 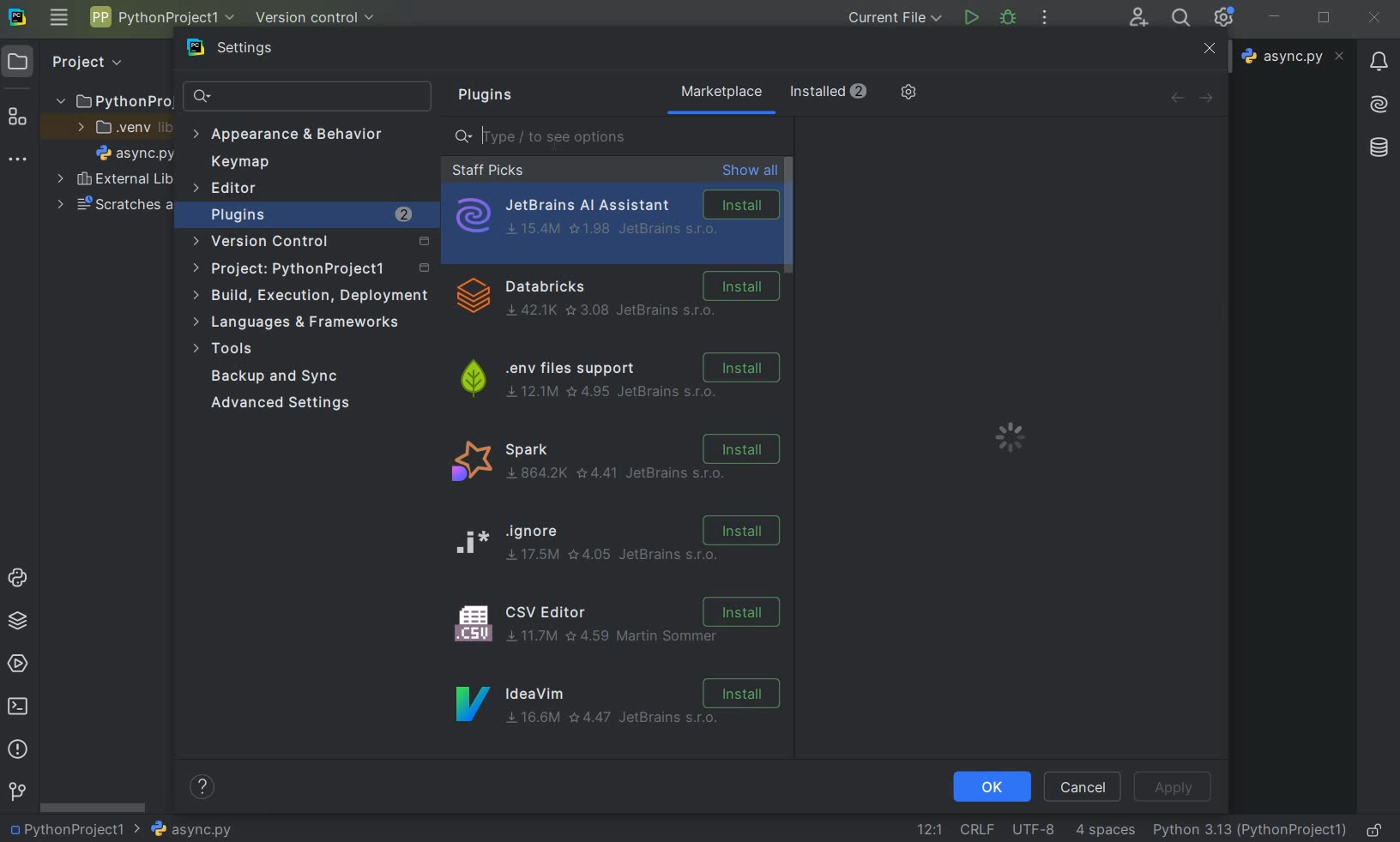 What do you see at coordinates (975, 828) in the screenshot?
I see `line separtor` at bounding box center [975, 828].